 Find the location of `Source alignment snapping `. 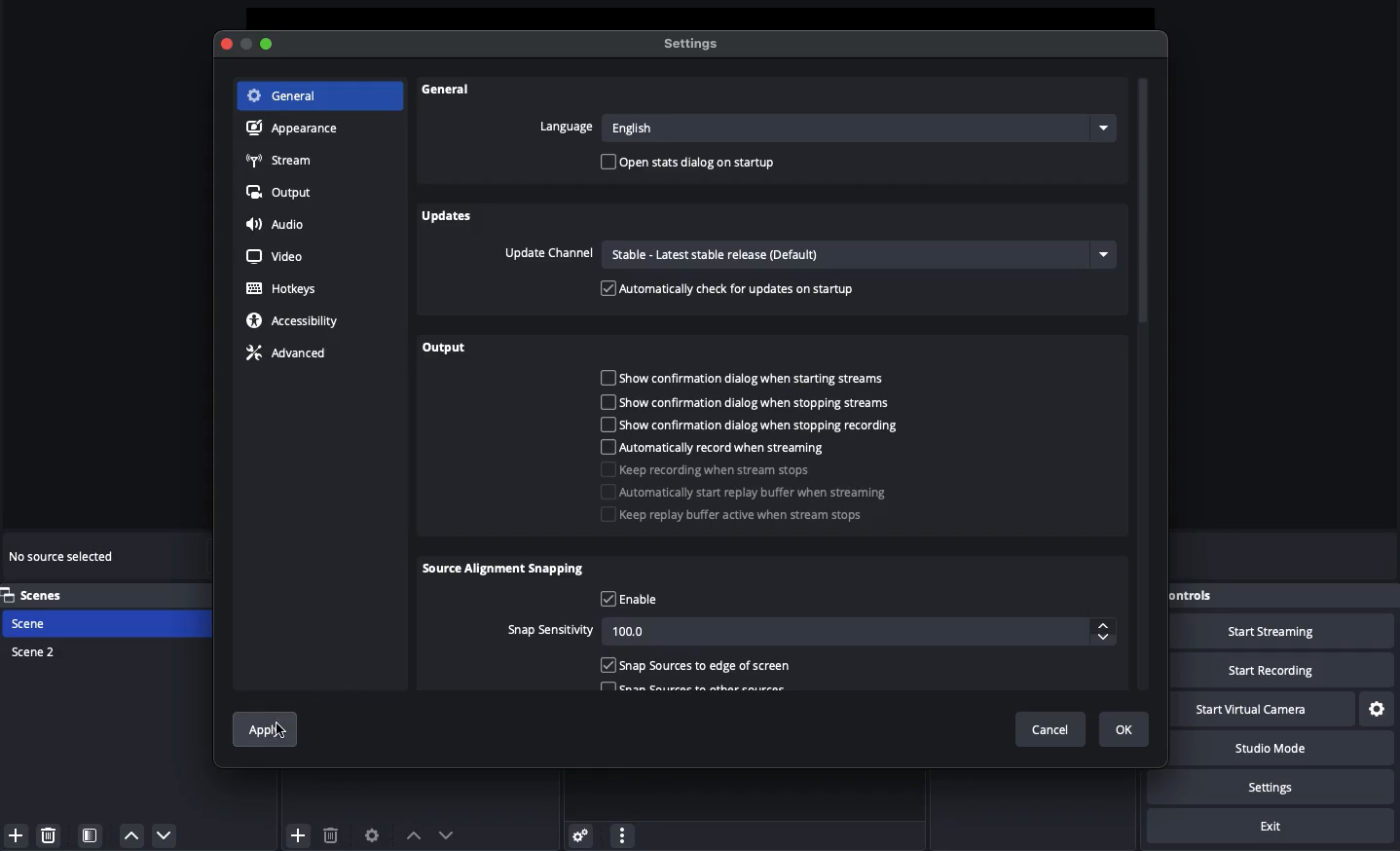

Source alignment snapping  is located at coordinates (505, 571).